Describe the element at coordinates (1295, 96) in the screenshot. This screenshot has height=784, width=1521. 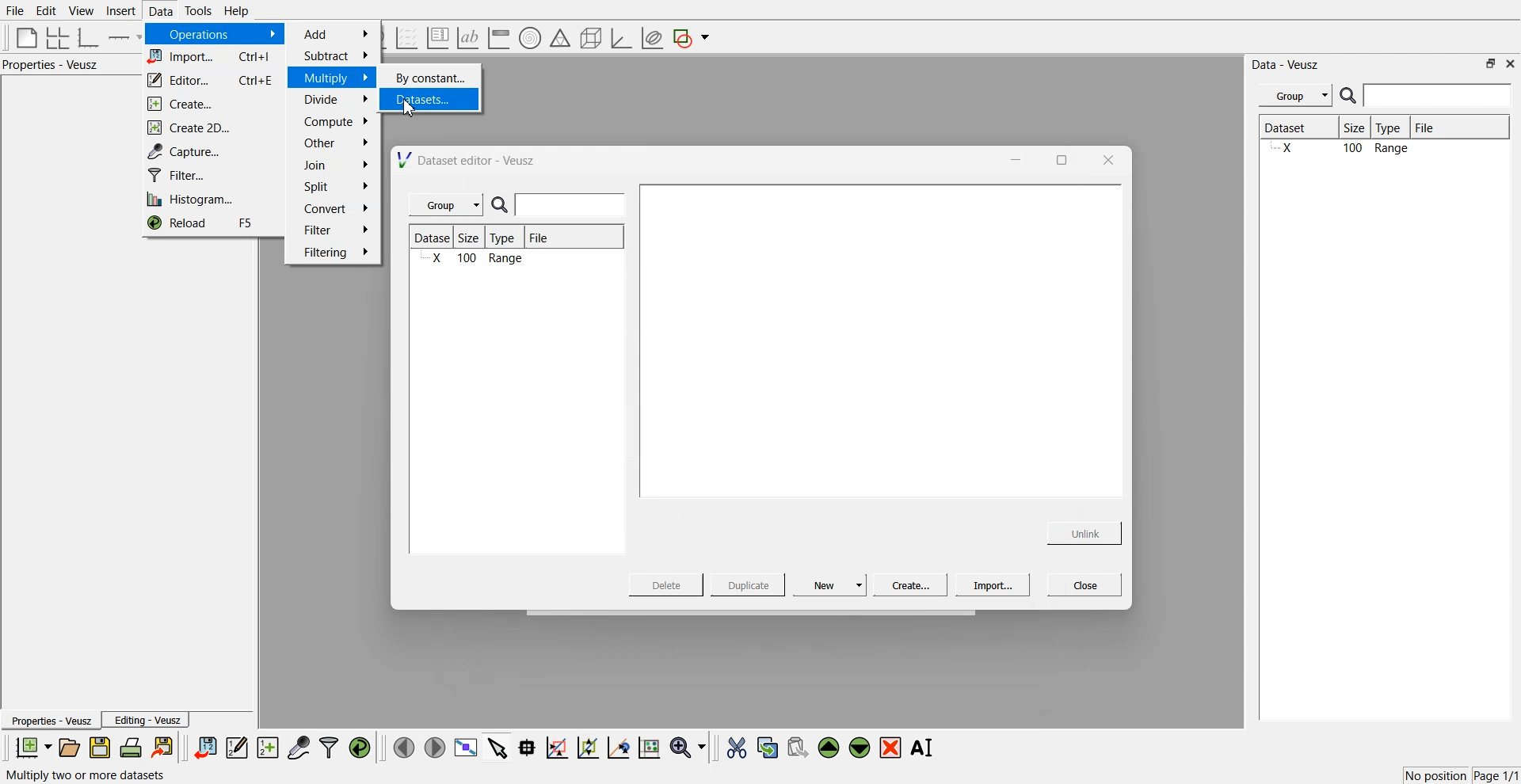
I see `` at that location.